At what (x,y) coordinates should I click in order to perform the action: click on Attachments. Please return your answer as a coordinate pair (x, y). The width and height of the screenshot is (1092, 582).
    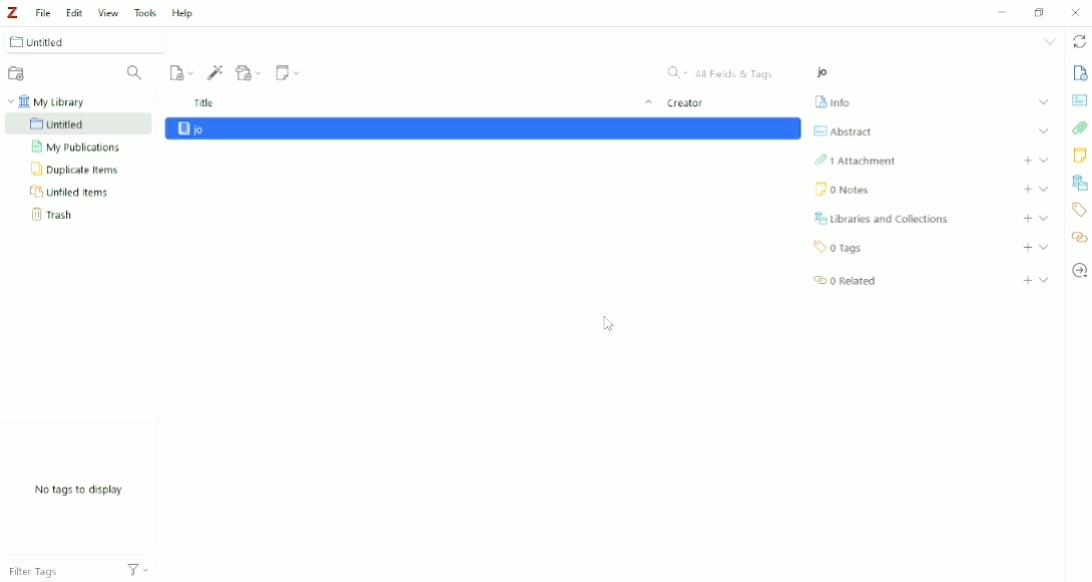
    Looking at the image, I should click on (1078, 129).